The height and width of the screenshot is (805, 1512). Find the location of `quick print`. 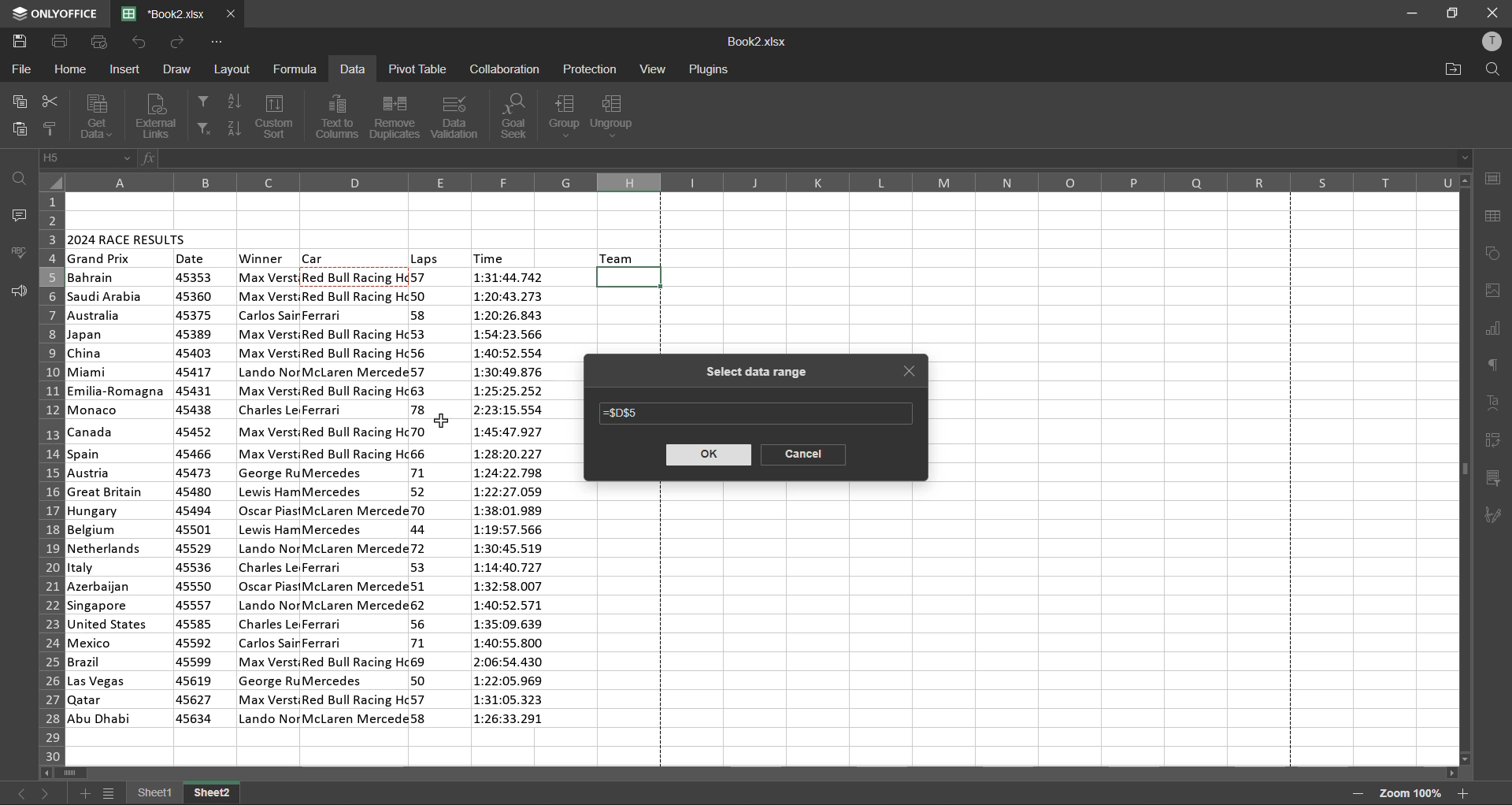

quick print is located at coordinates (98, 42).